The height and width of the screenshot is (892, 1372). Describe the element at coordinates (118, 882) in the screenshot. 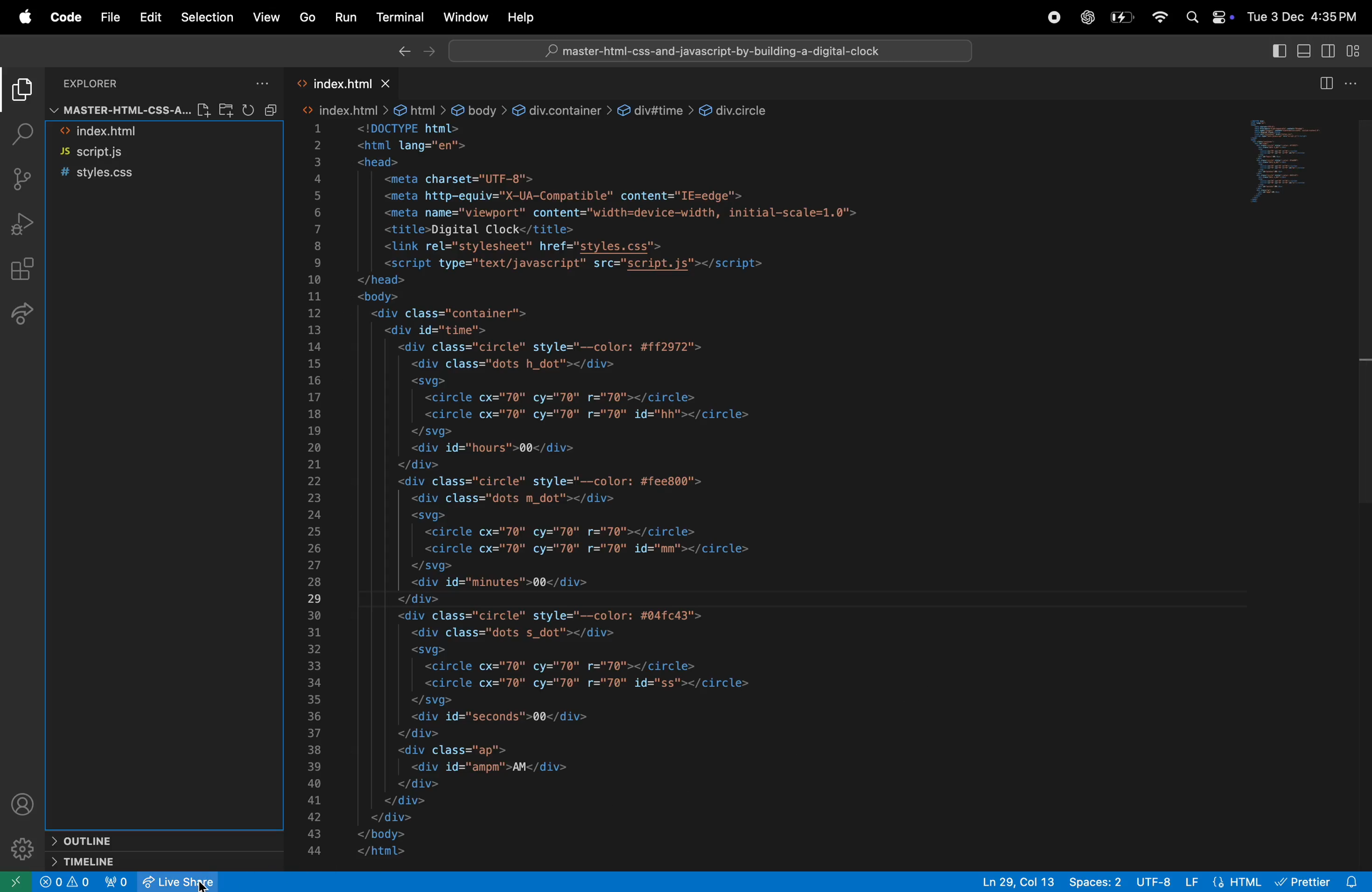

I see `no of port` at that location.